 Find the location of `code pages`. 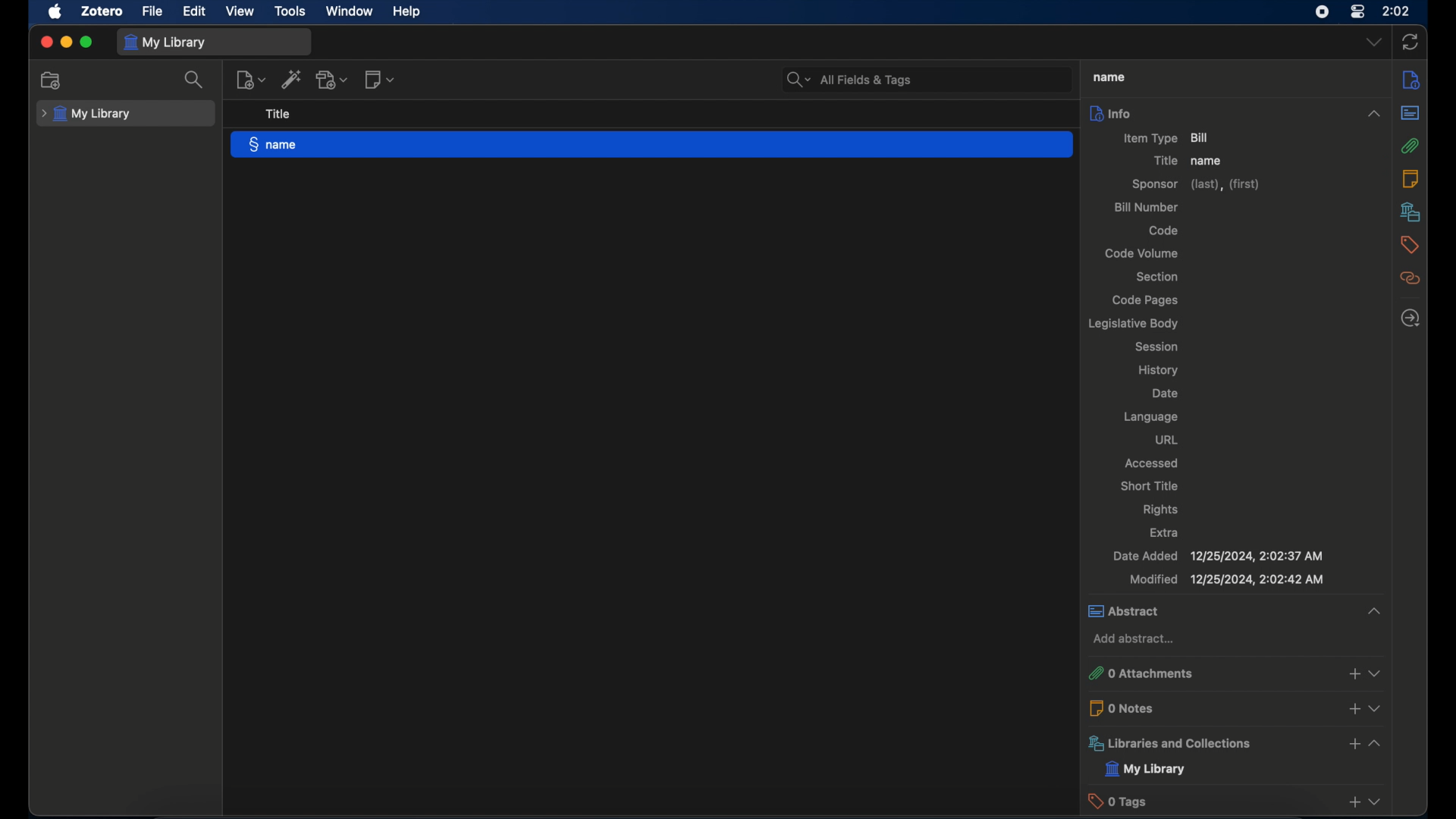

code pages is located at coordinates (1146, 300).